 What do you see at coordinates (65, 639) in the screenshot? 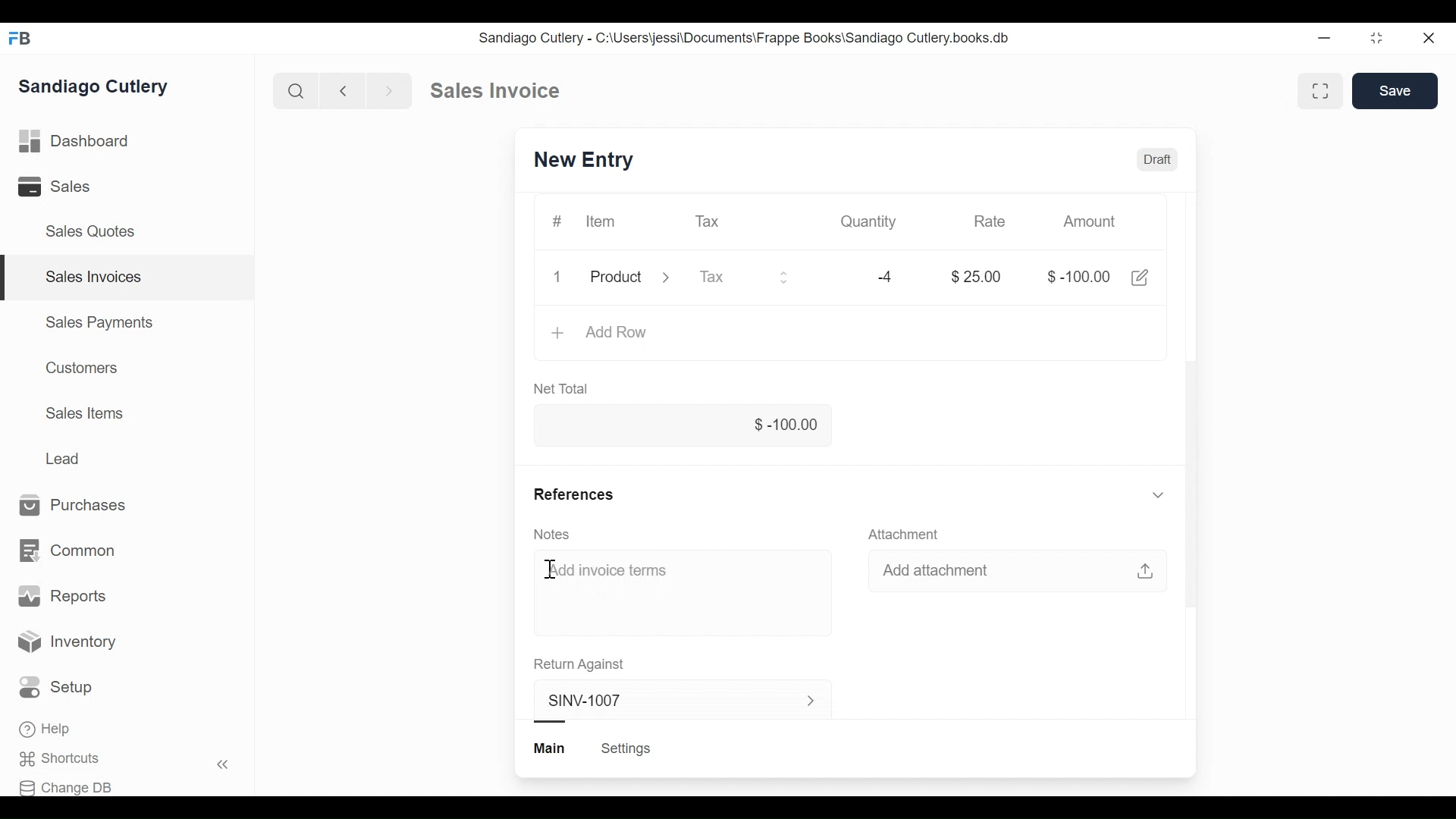
I see `Inventory` at bounding box center [65, 639].